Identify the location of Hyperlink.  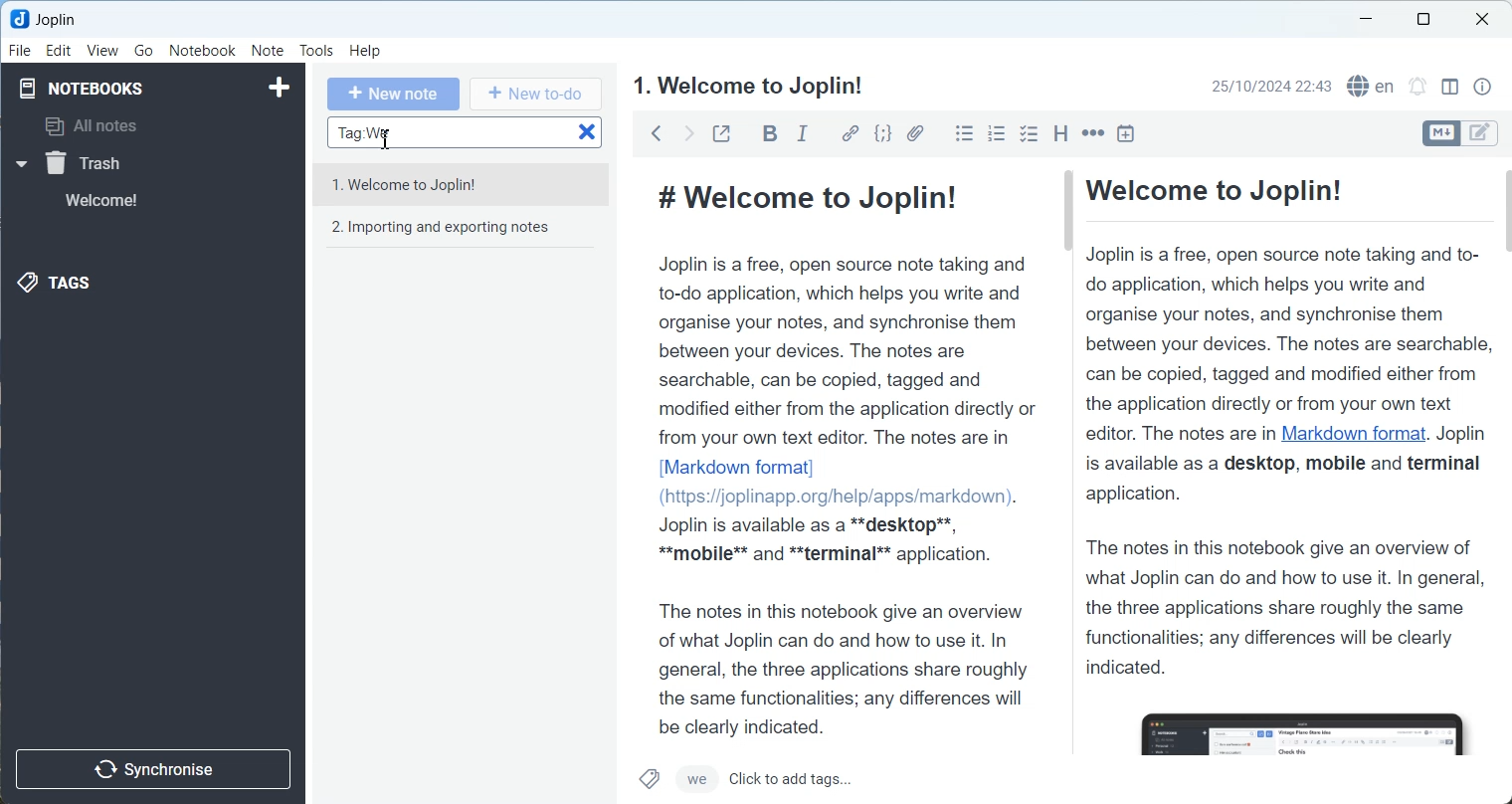
(849, 133).